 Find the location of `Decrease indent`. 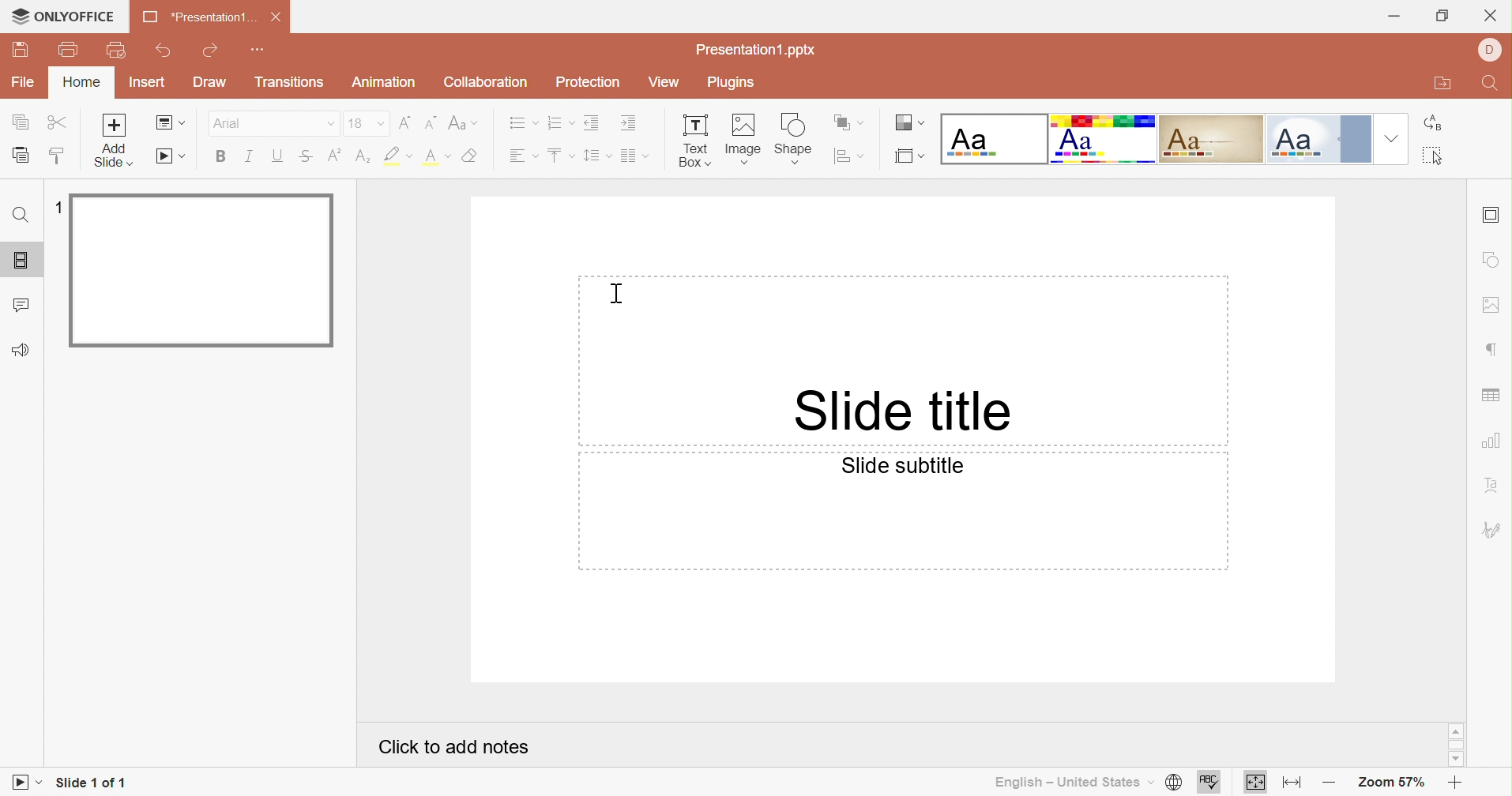

Decrease indent is located at coordinates (590, 123).